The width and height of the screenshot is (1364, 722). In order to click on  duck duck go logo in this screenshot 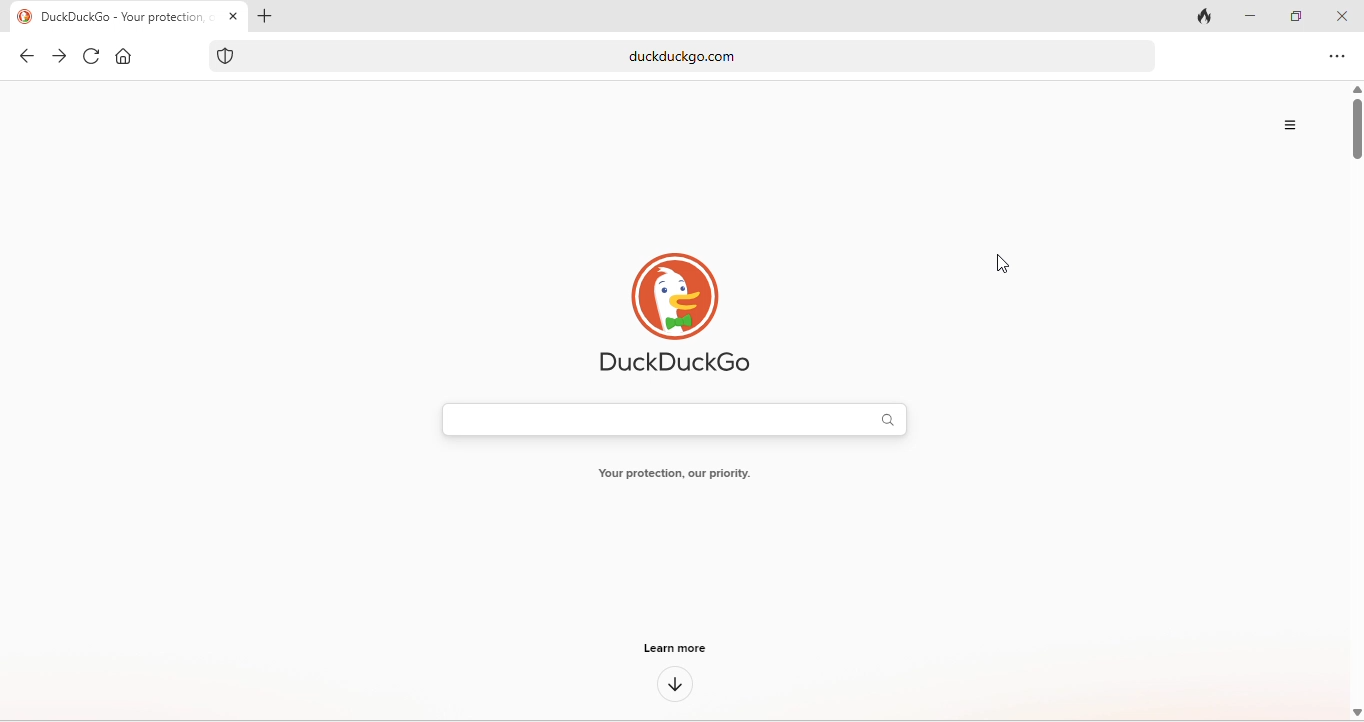, I will do `click(682, 306)`.